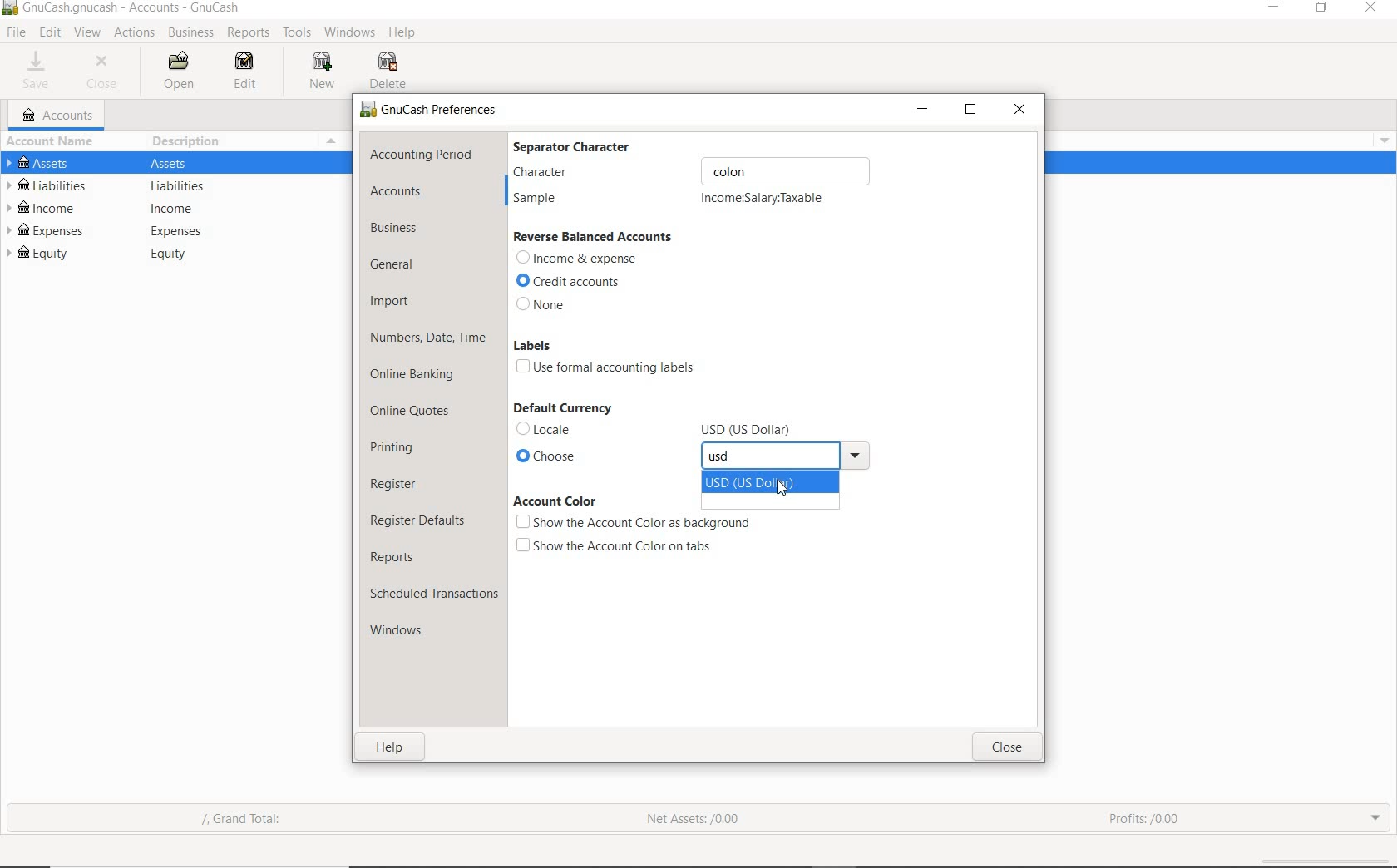  What do you see at coordinates (690, 172) in the screenshot?
I see `character` at bounding box center [690, 172].